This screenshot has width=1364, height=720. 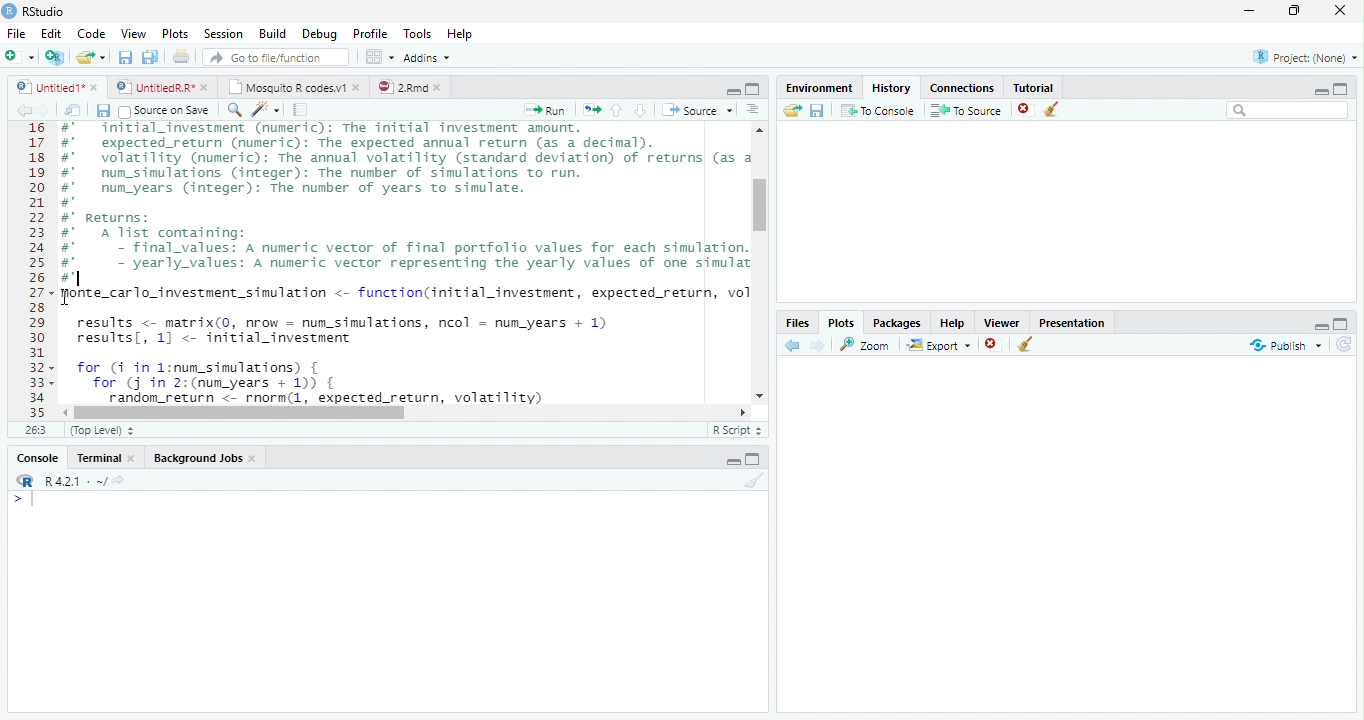 I want to click on Hide, so click(x=1319, y=324).